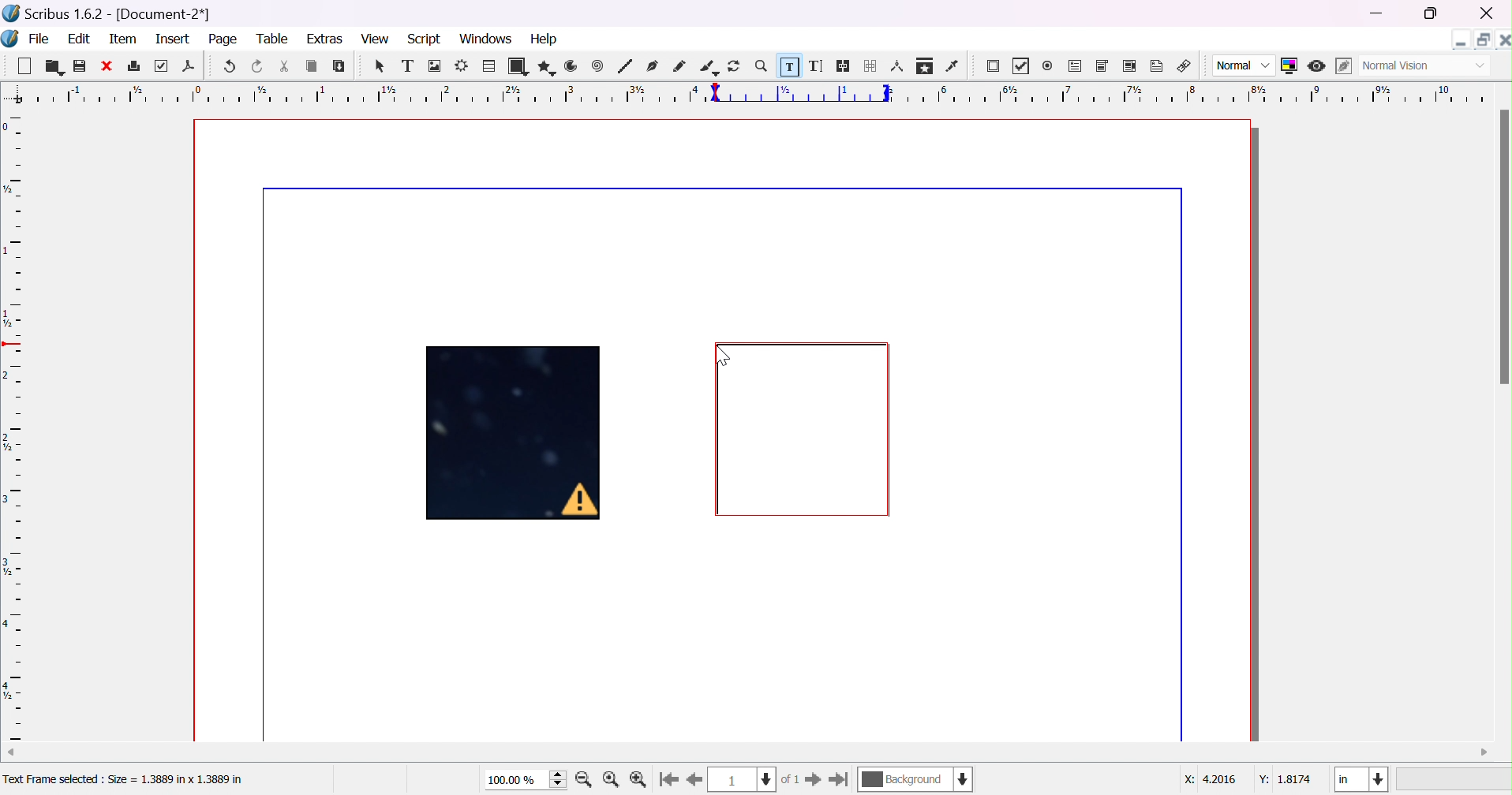  I want to click on Text Frame, so click(804, 430).